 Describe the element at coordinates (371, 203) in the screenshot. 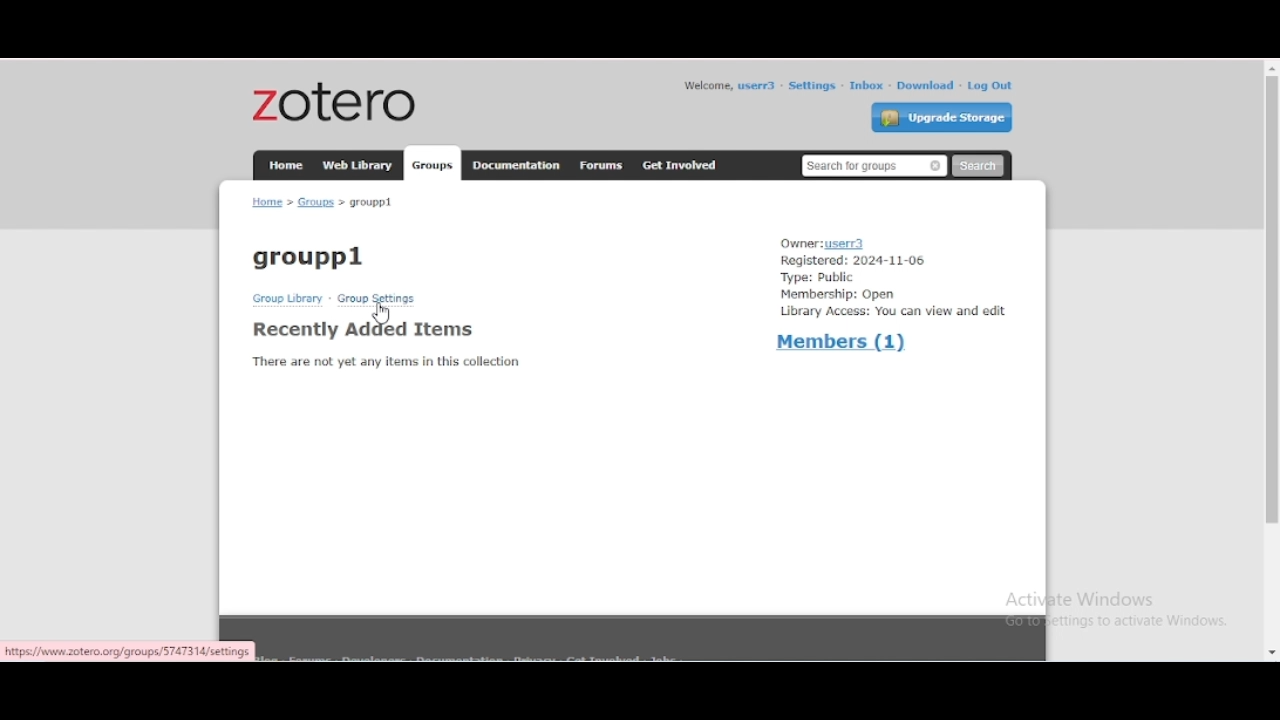

I see `groupp1` at that location.